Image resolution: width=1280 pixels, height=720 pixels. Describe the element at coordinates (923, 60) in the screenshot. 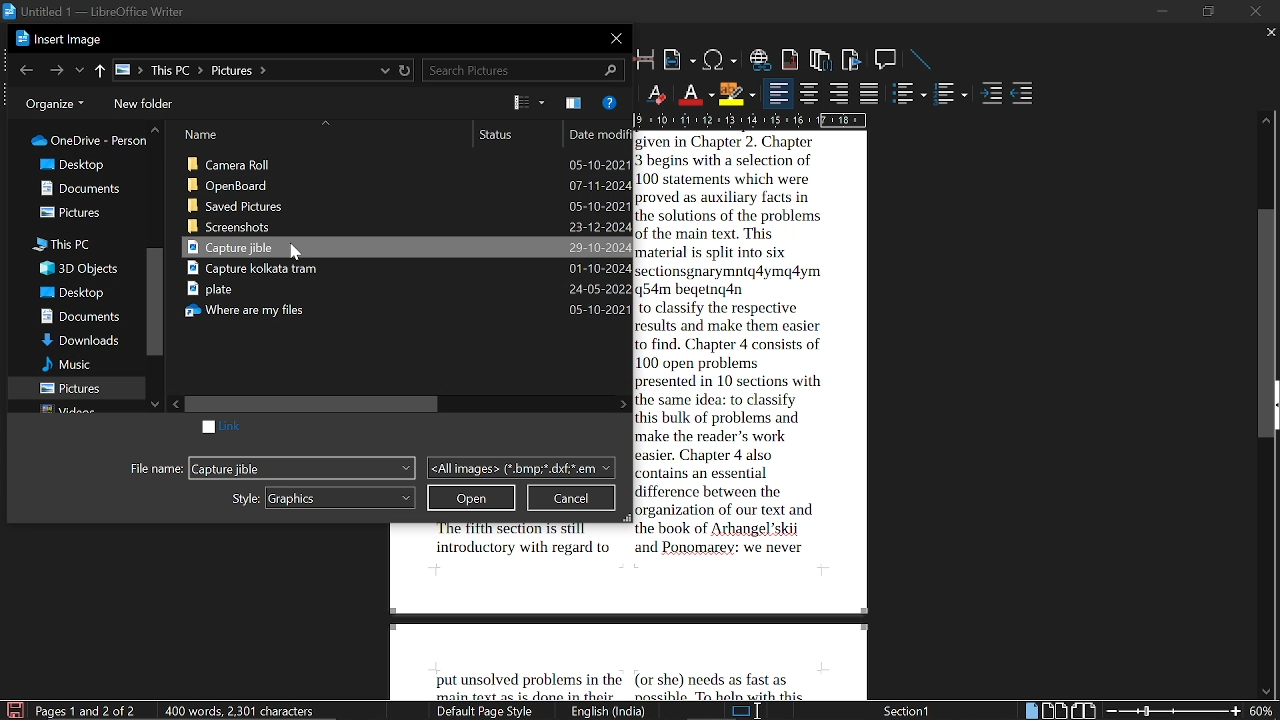

I see `insert line` at that location.